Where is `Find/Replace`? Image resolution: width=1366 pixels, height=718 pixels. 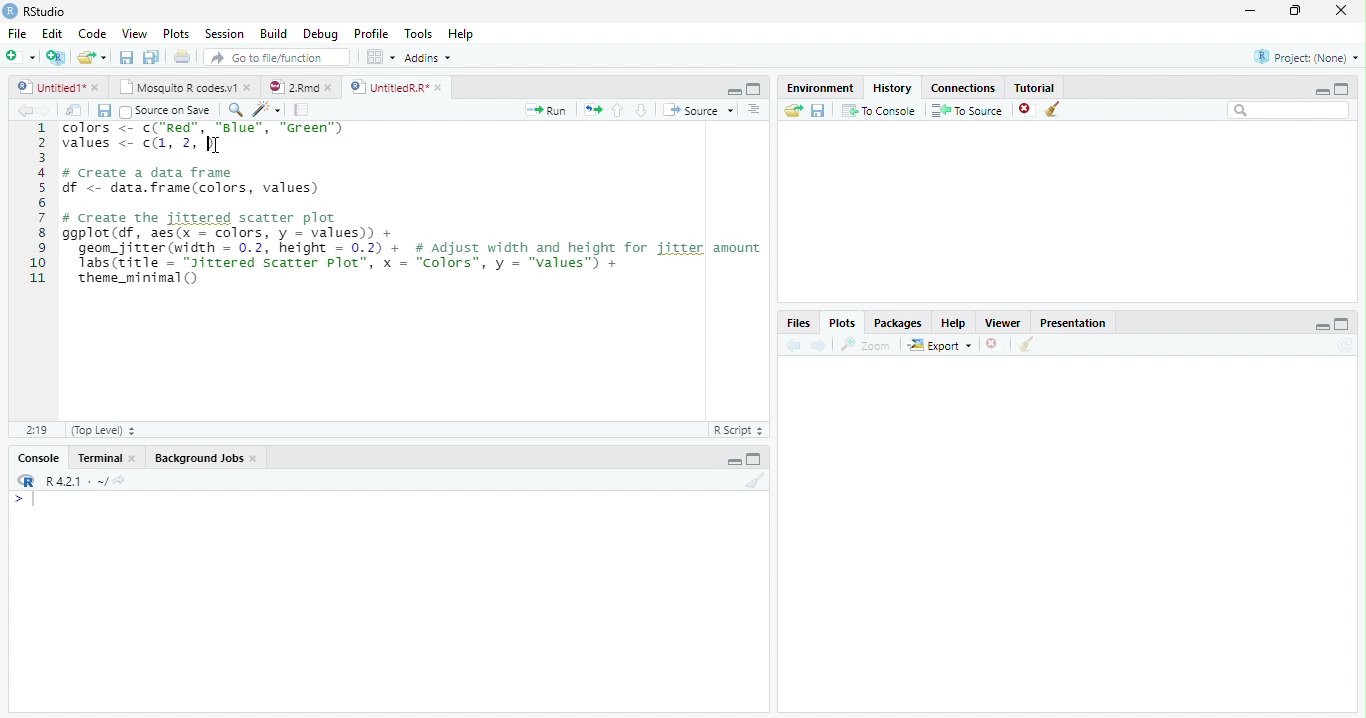
Find/Replace is located at coordinates (236, 109).